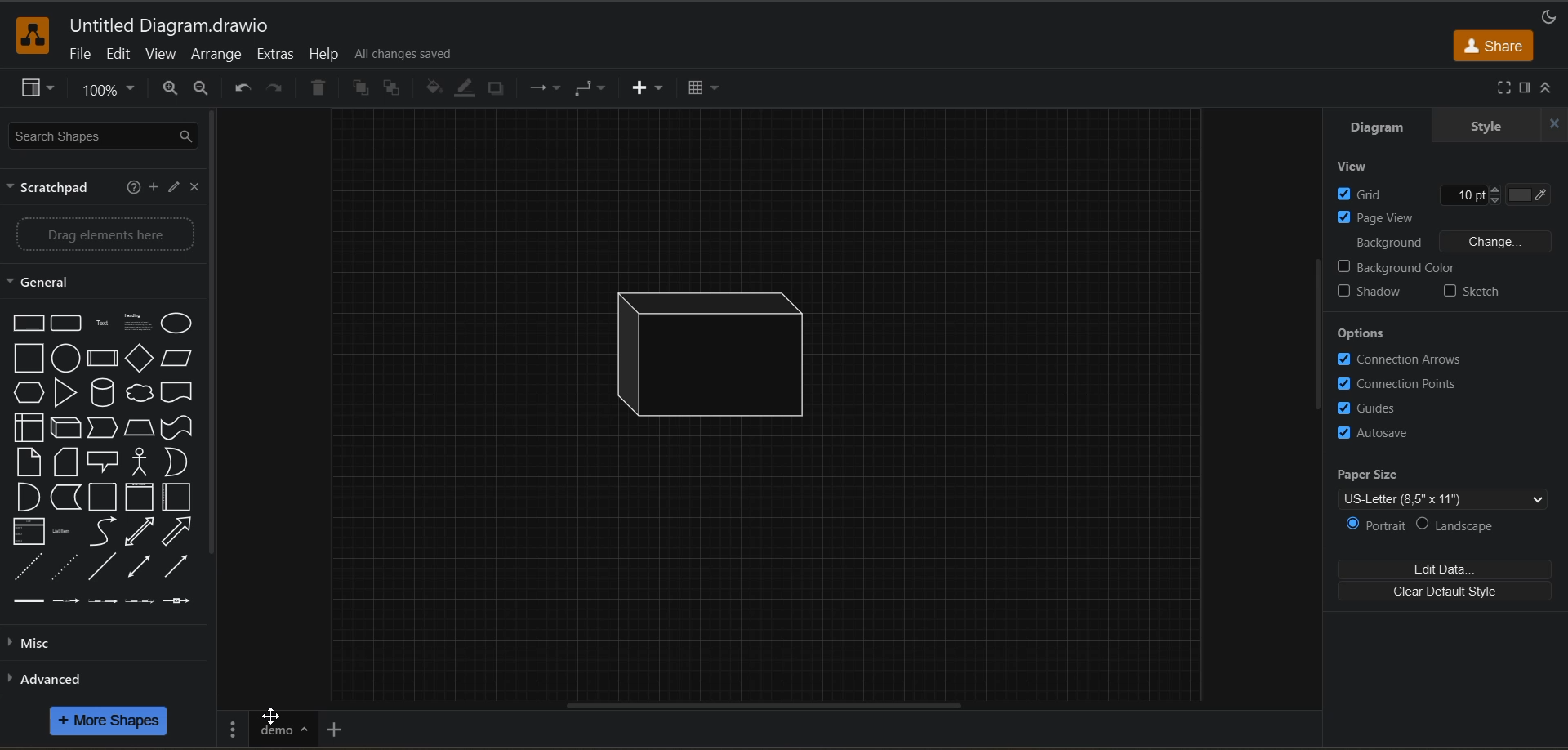  Describe the element at coordinates (1396, 269) in the screenshot. I see `background color` at that location.